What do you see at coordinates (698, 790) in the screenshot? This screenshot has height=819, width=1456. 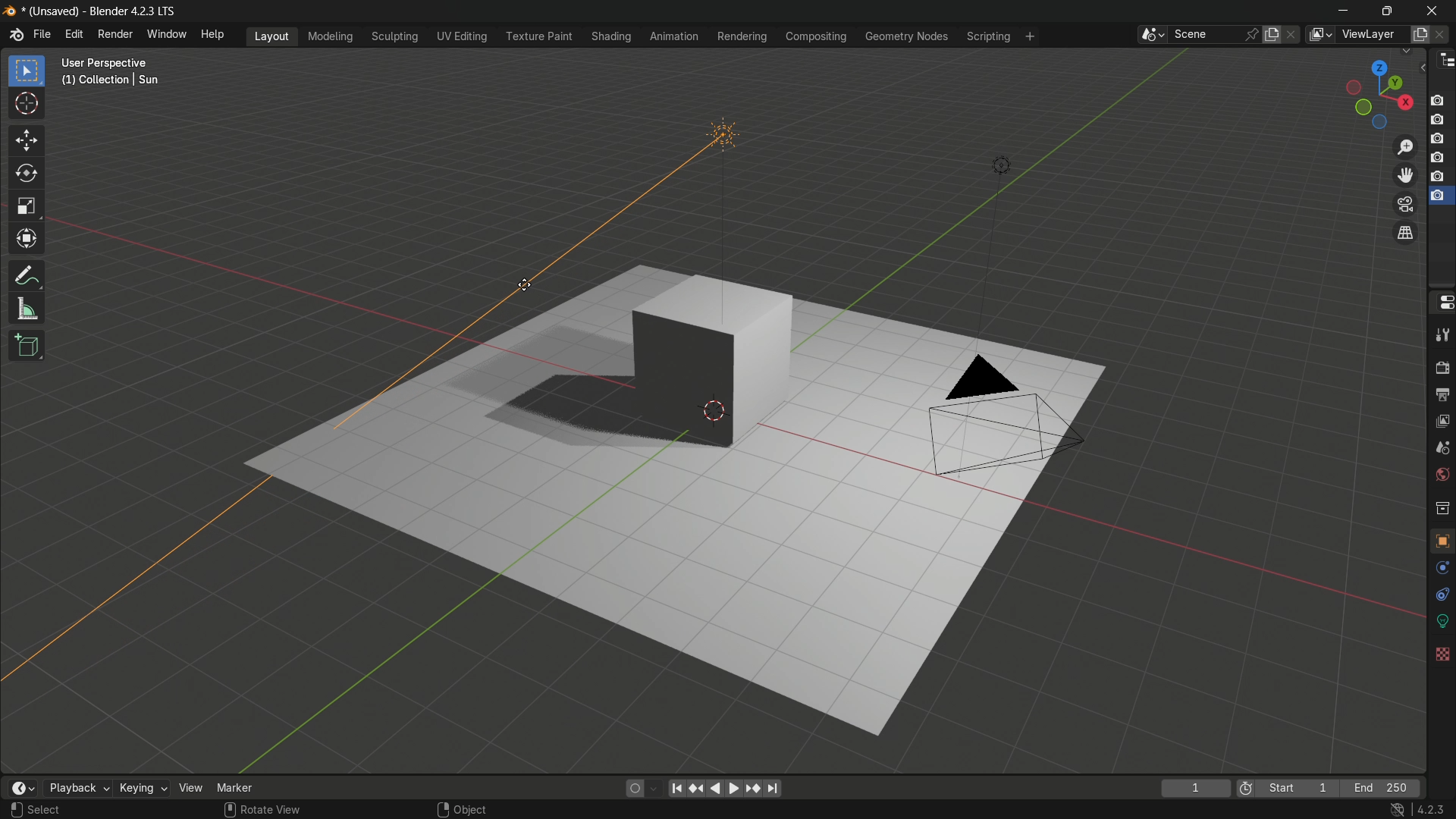 I see `jump to keyframe` at bounding box center [698, 790].